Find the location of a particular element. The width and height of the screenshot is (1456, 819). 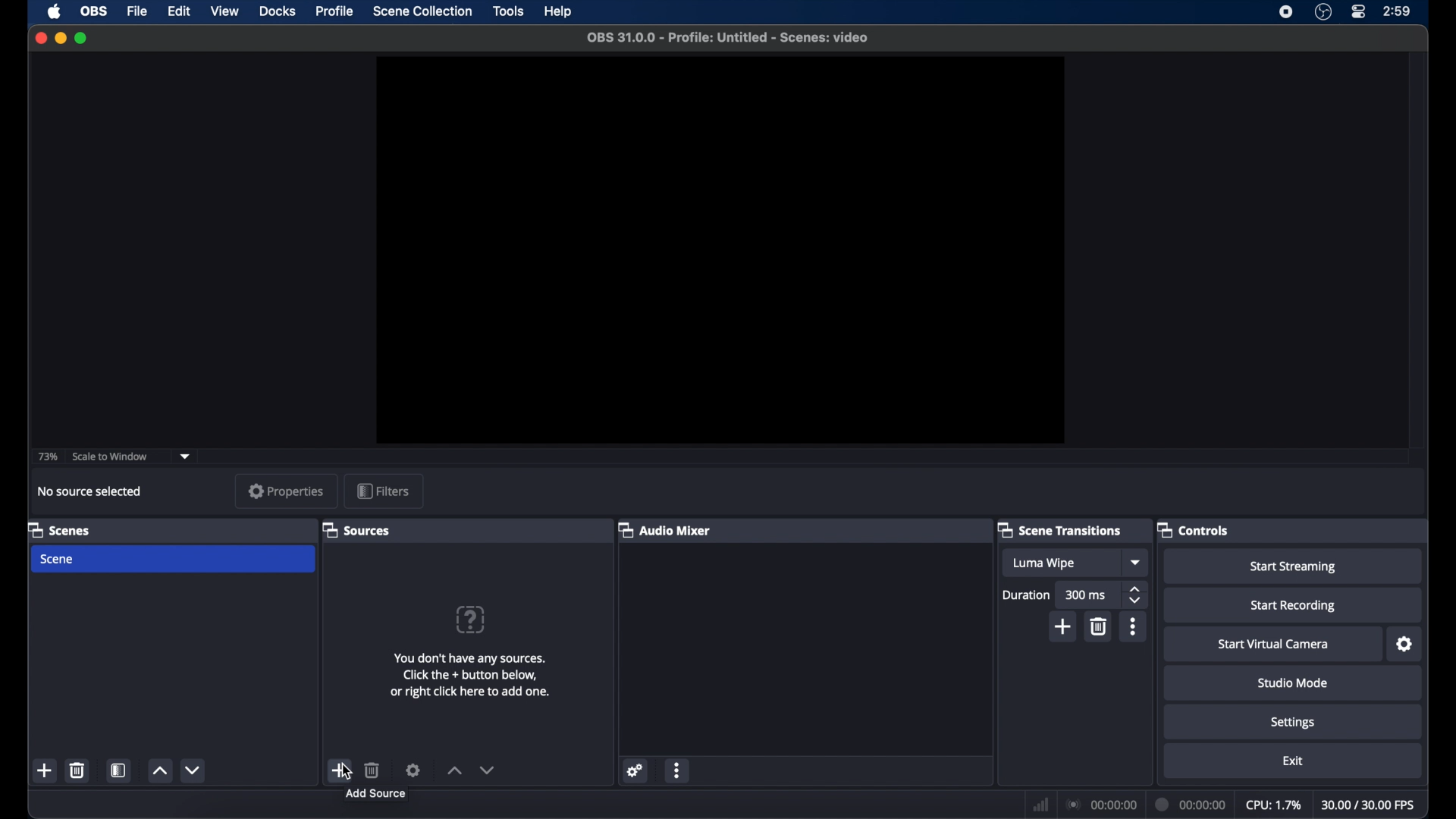

add is located at coordinates (340, 770).